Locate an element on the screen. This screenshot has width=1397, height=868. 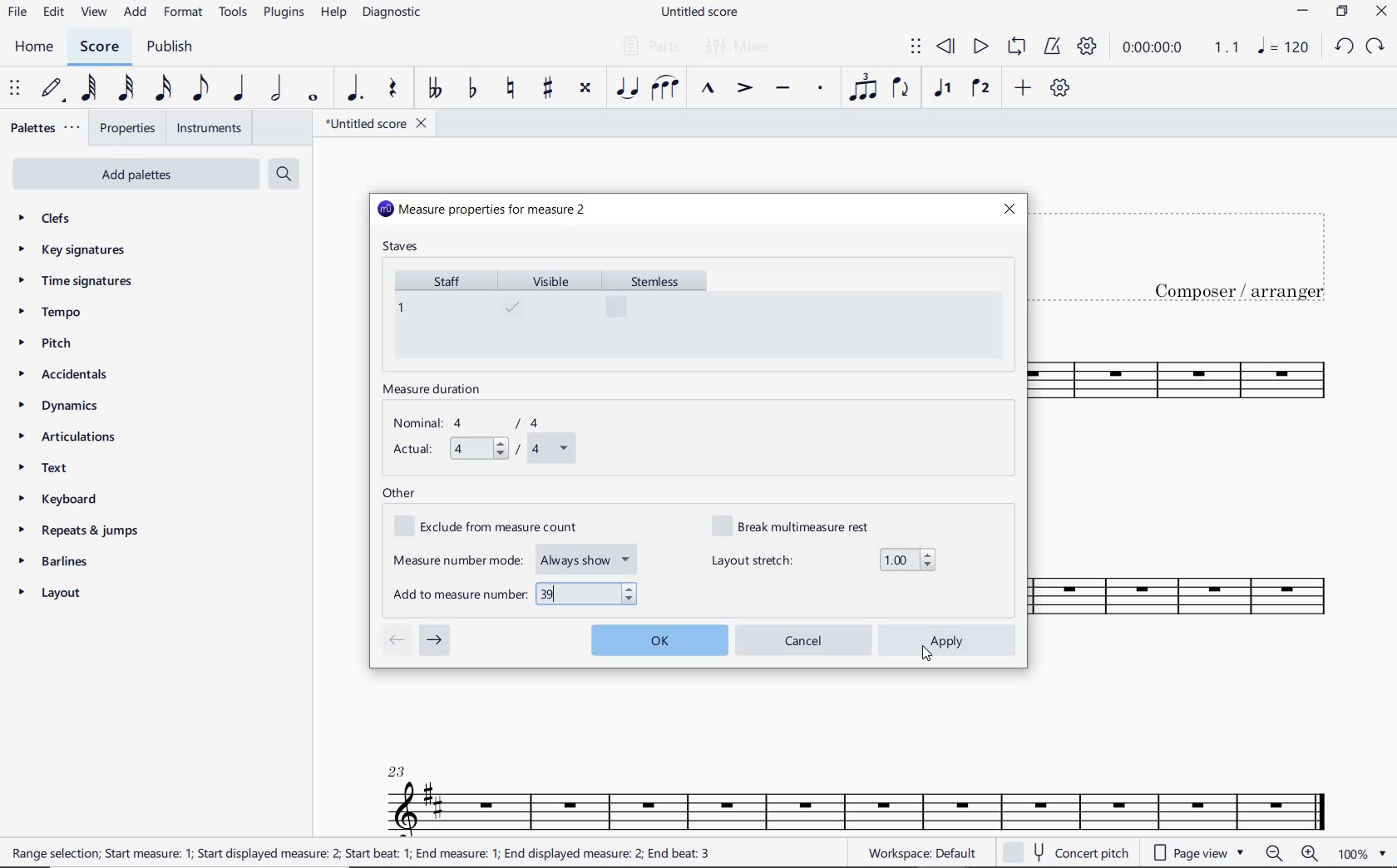
TEMPO is located at coordinates (49, 313).